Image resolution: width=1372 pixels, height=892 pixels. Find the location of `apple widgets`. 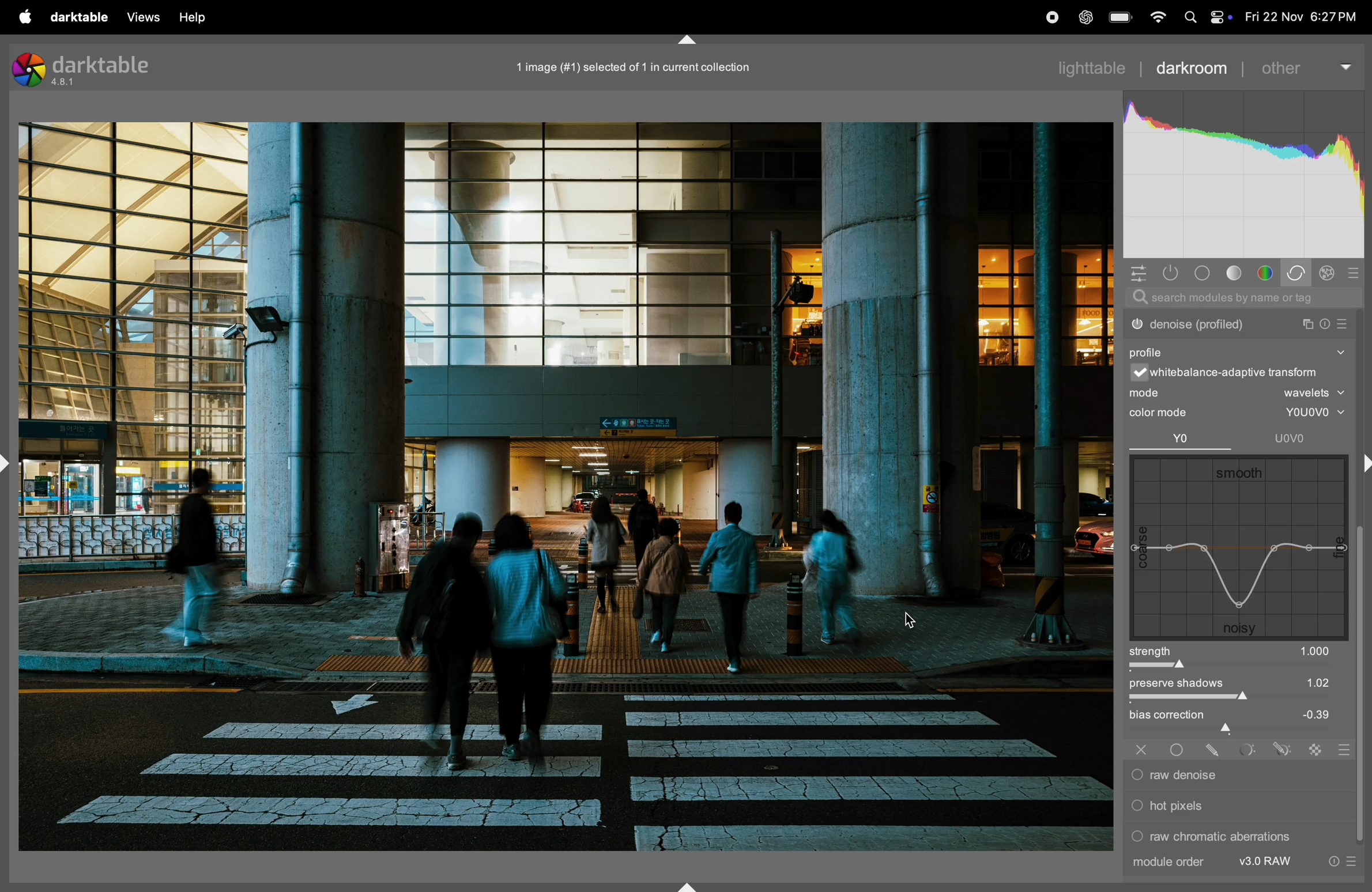

apple widgets is located at coordinates (1220, 18).